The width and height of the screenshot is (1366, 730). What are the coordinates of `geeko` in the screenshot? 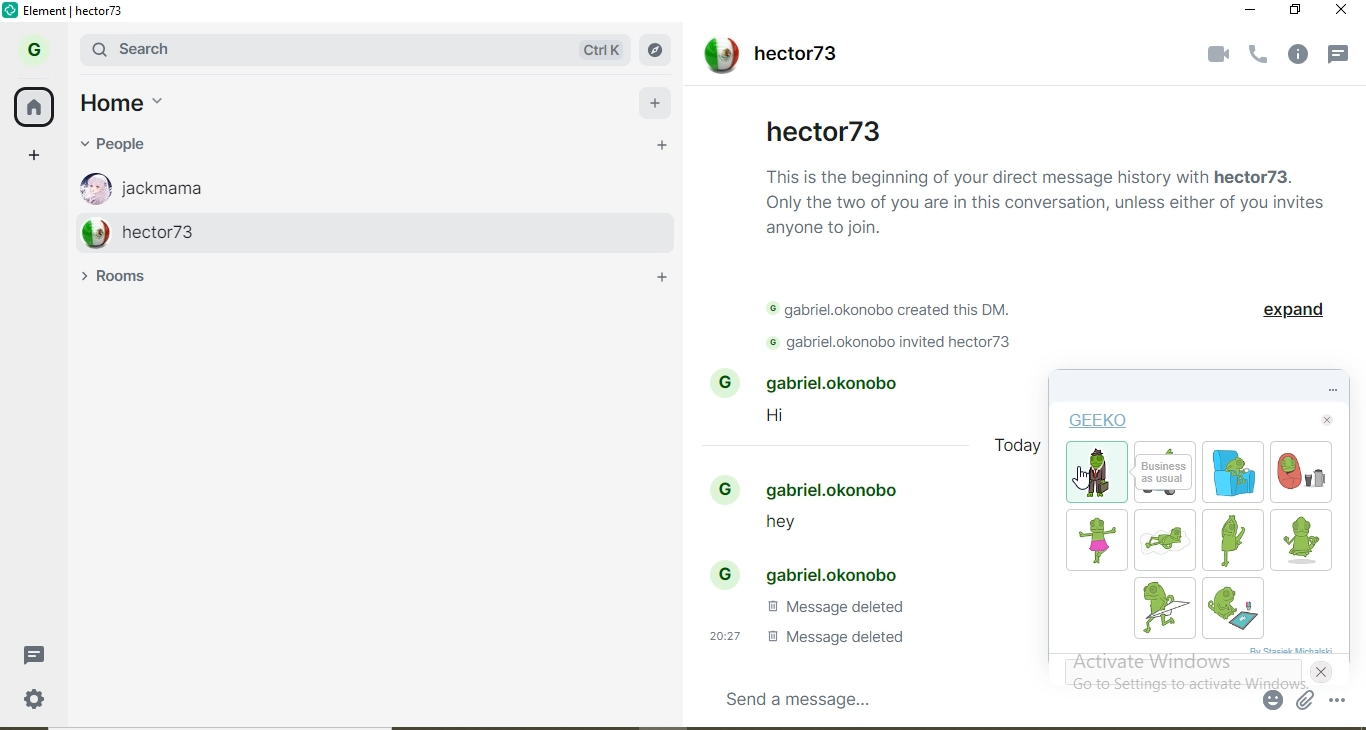 It's located at (1099, 423).